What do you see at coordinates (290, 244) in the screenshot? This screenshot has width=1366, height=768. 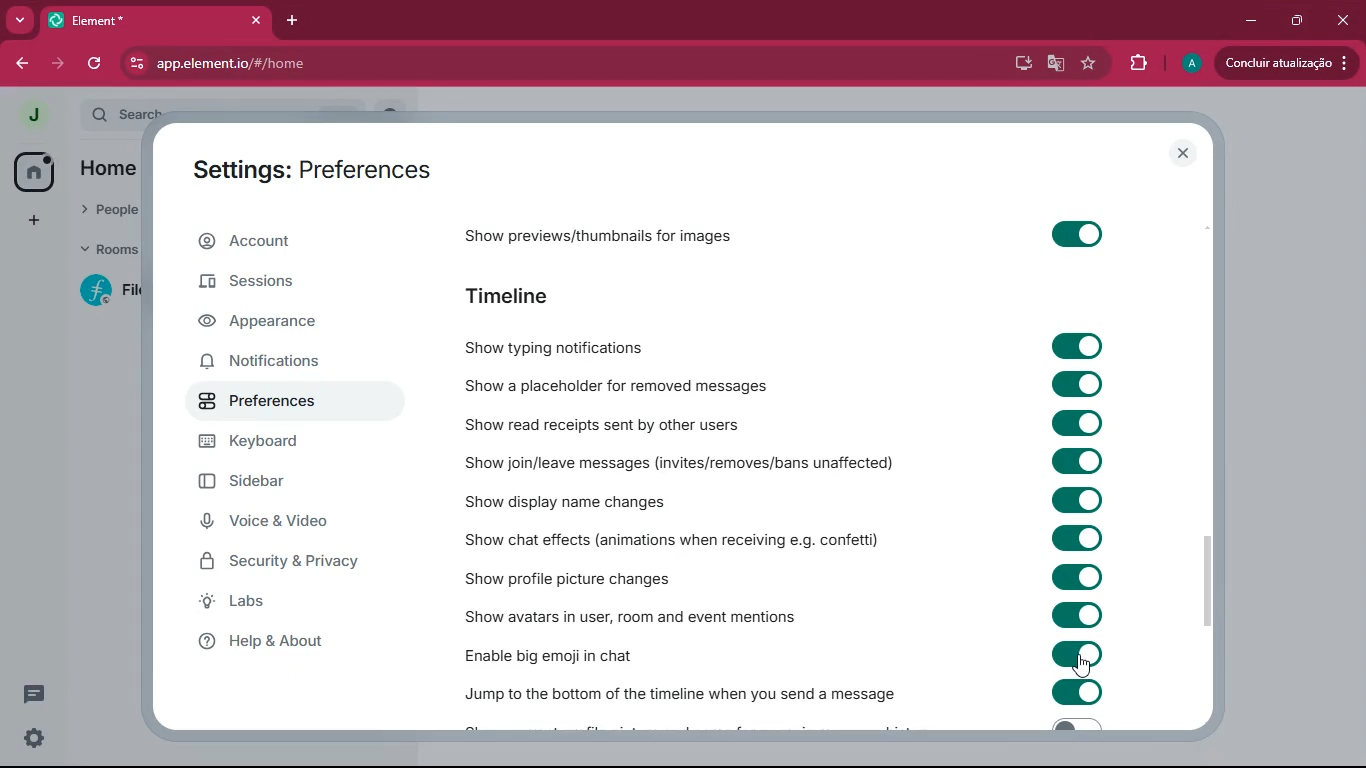 I see `account` at bounding box center [290, 244].